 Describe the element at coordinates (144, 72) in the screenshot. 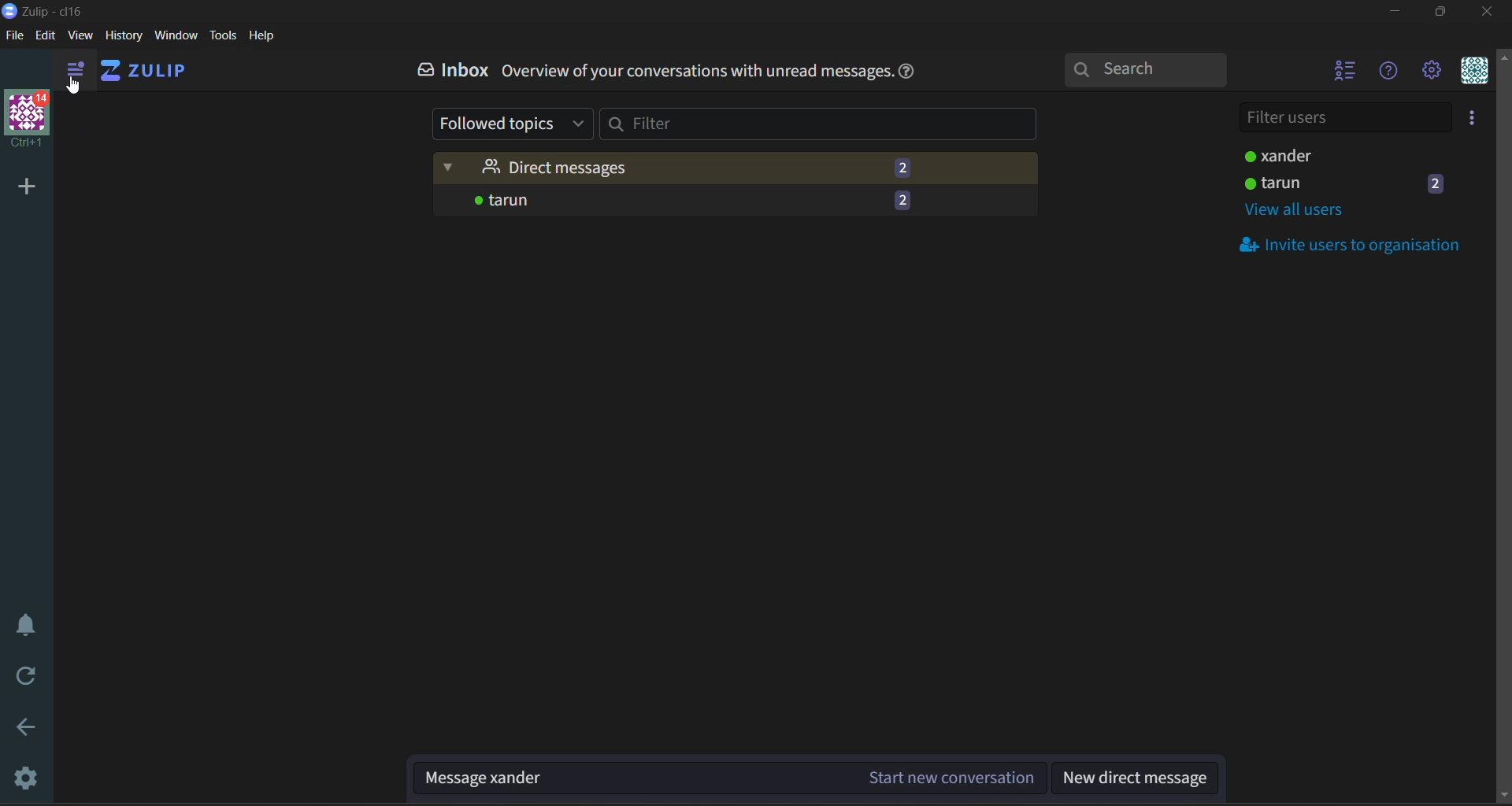

I see `ZULIP (home)` at that location.